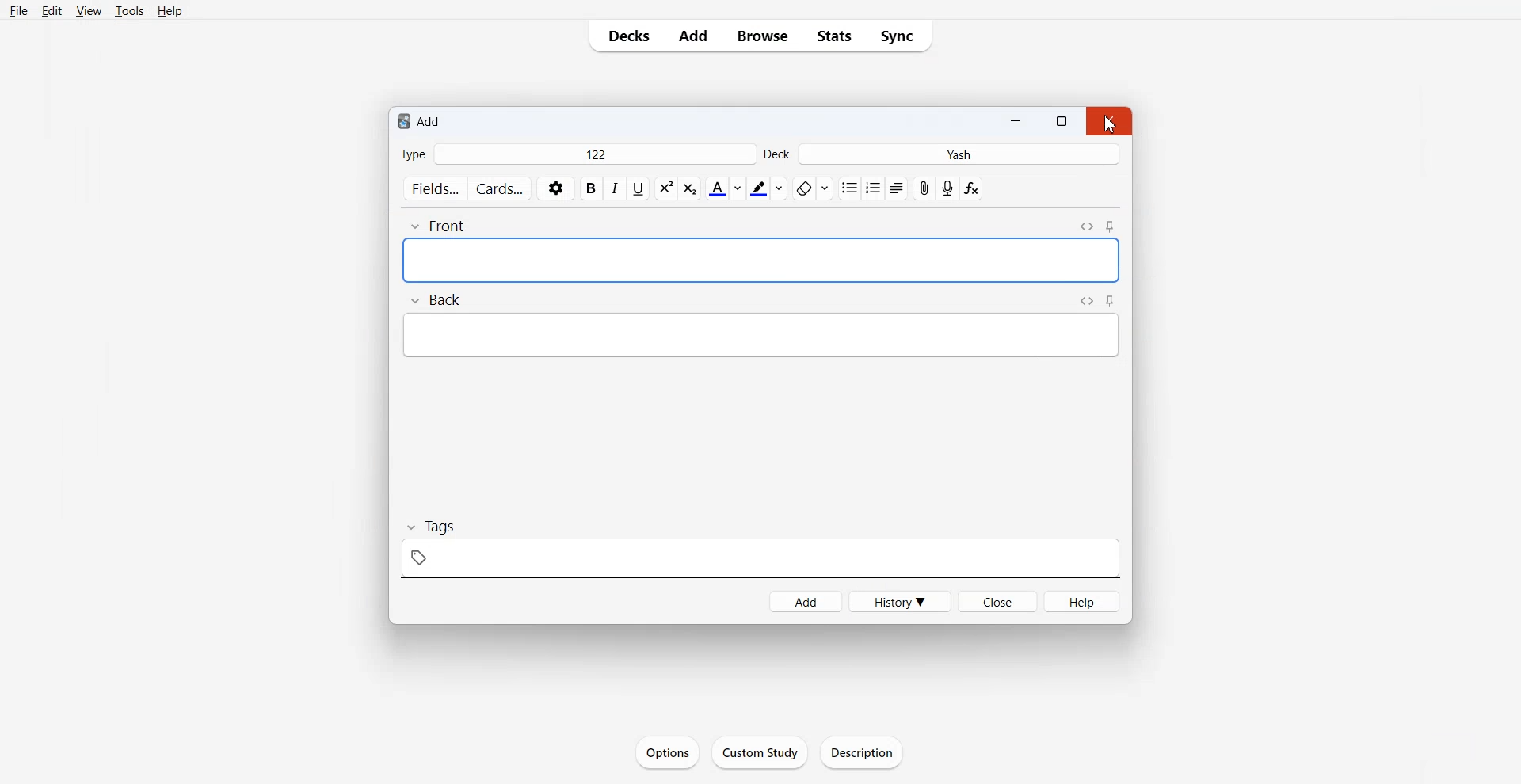 The height and width of the screenshot is (784, 1521). I want to click on Add, so click(436, 123).